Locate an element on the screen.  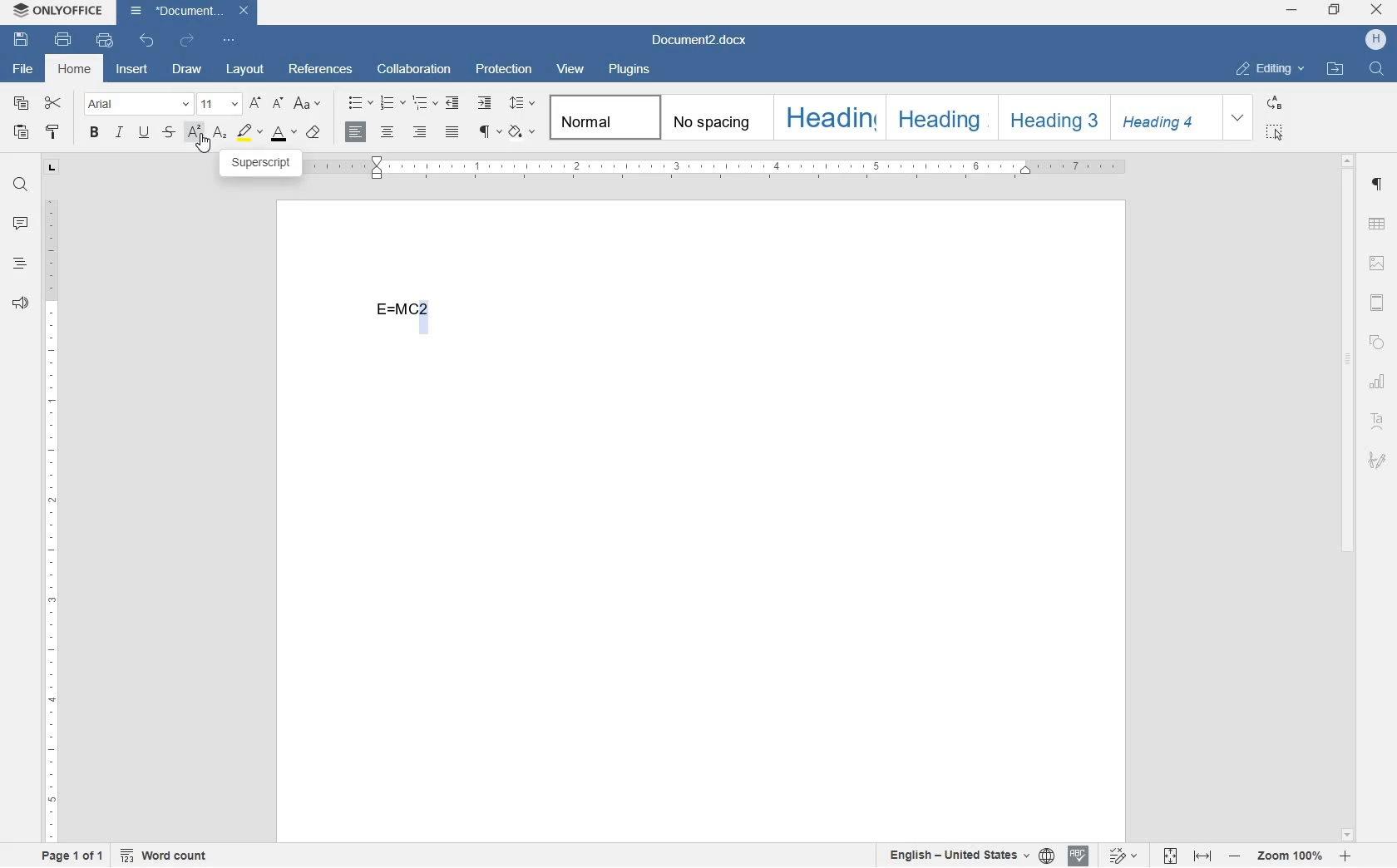
protection is located at coordinates (507, 70).